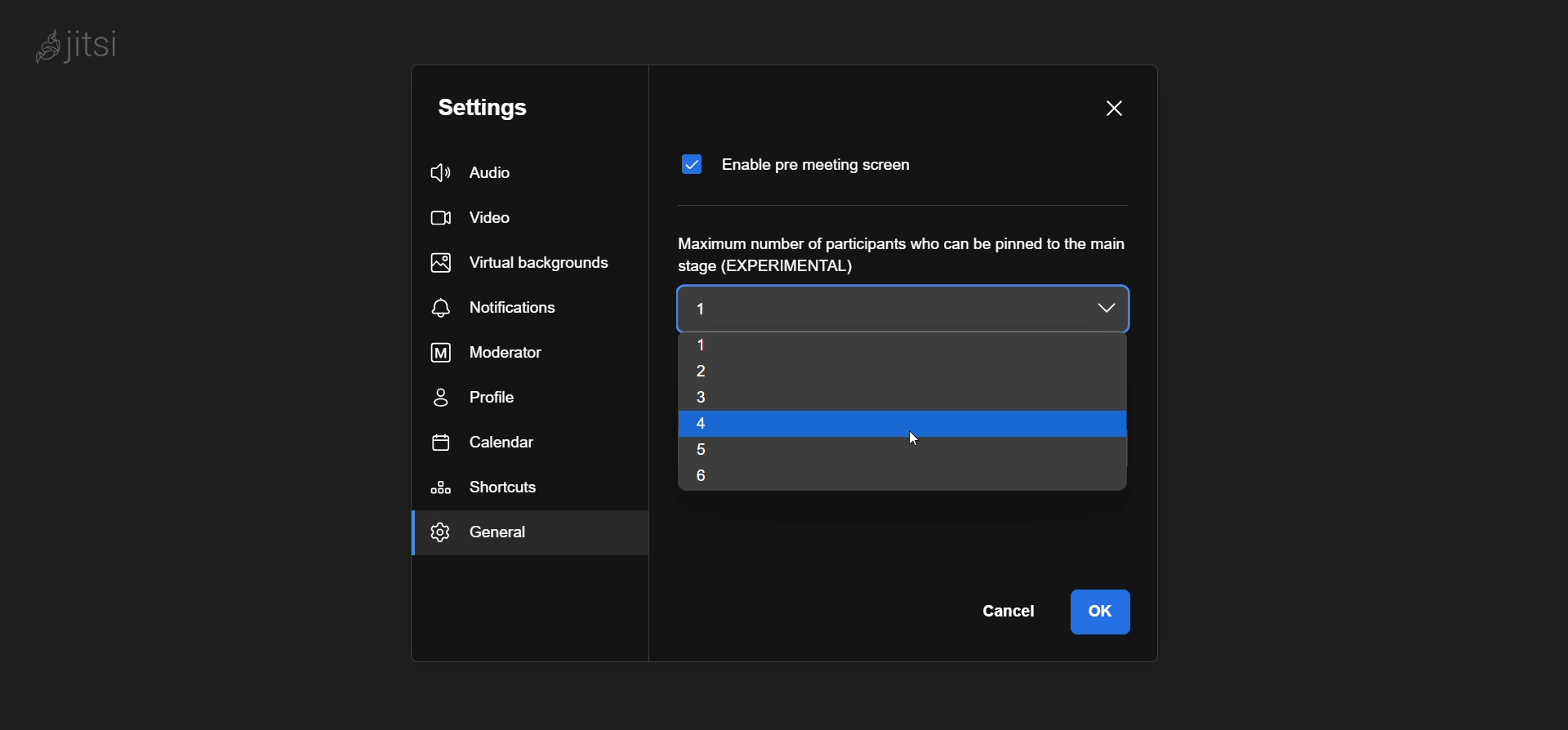 This screenshot has width=1568, height=730. What do you see at coordinates (916, 443) in the screenshot?
I see `cursor` at bounding box center [916, 443].